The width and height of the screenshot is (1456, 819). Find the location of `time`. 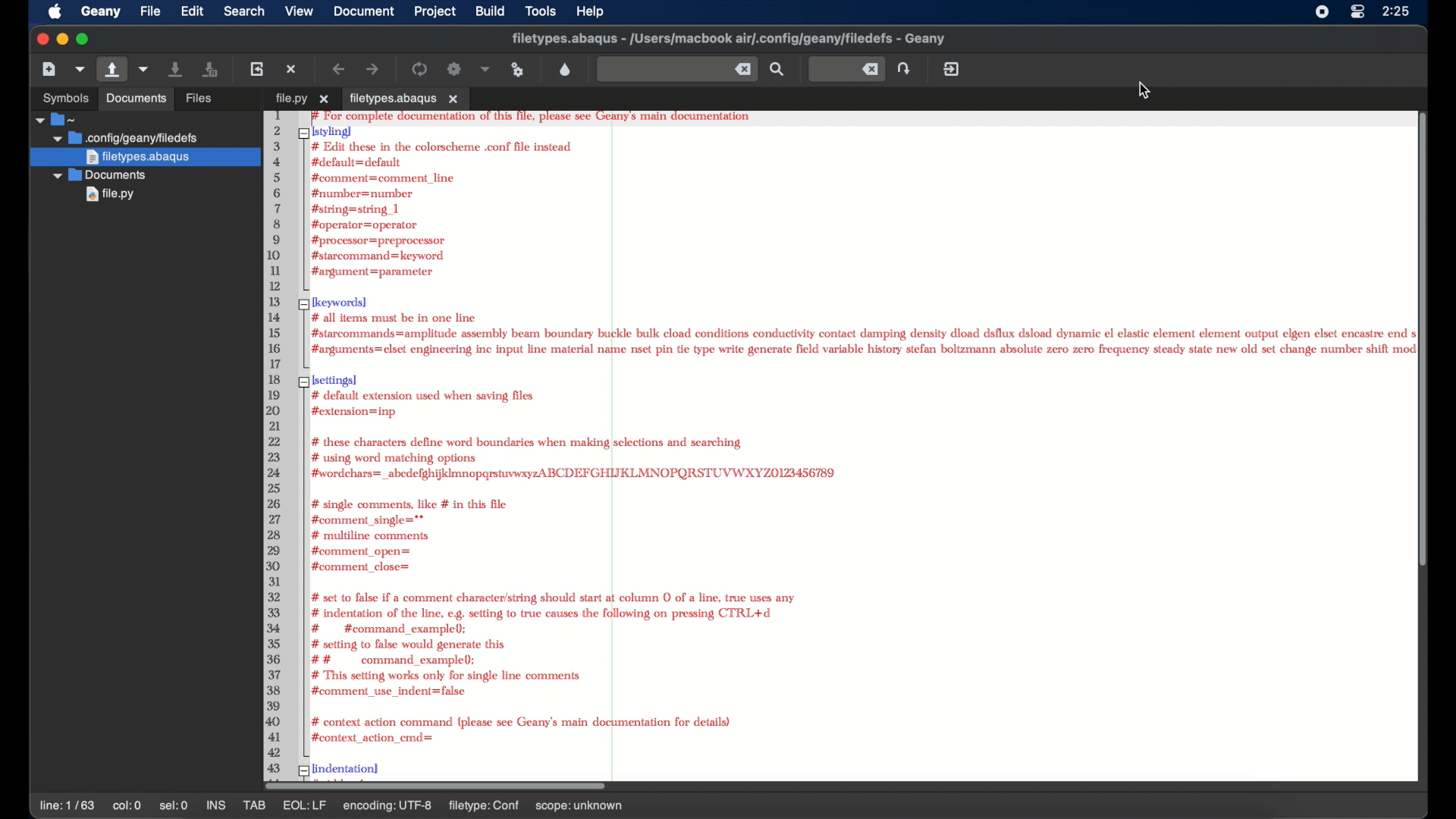

time is located at coordinates (1398, 11).